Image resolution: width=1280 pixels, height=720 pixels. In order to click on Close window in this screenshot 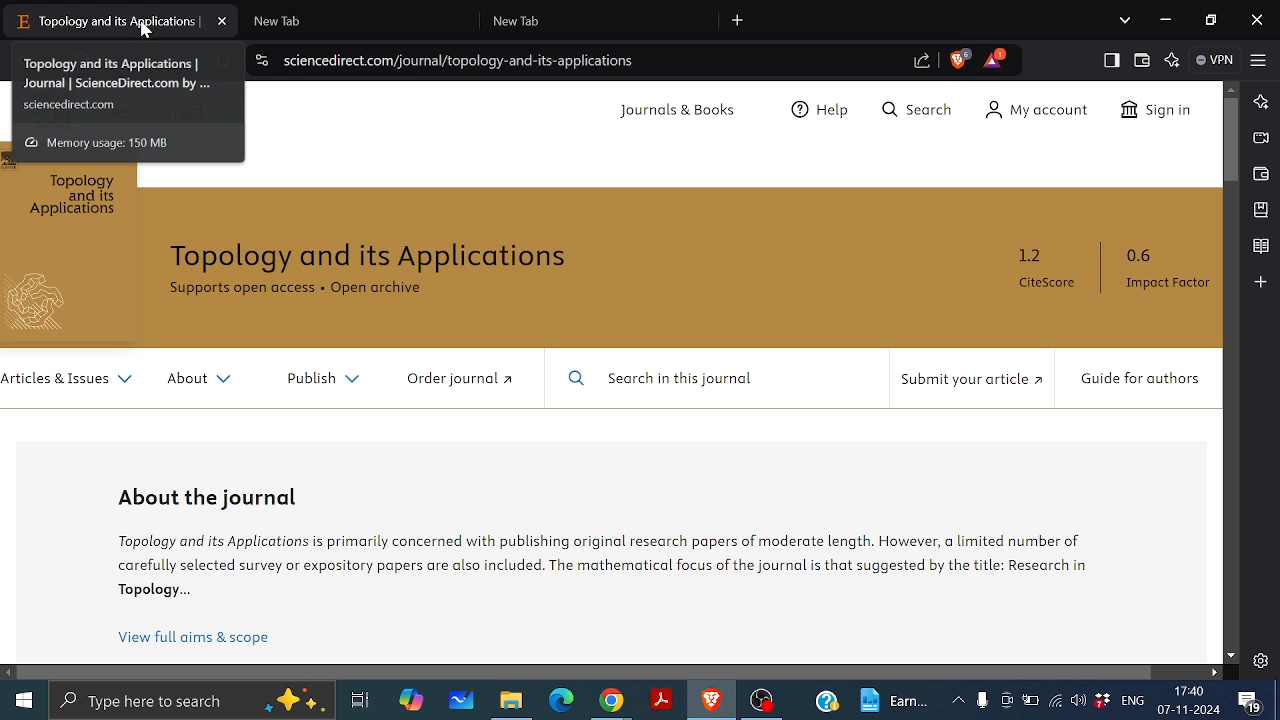, I will do `click(1259, 20)`.